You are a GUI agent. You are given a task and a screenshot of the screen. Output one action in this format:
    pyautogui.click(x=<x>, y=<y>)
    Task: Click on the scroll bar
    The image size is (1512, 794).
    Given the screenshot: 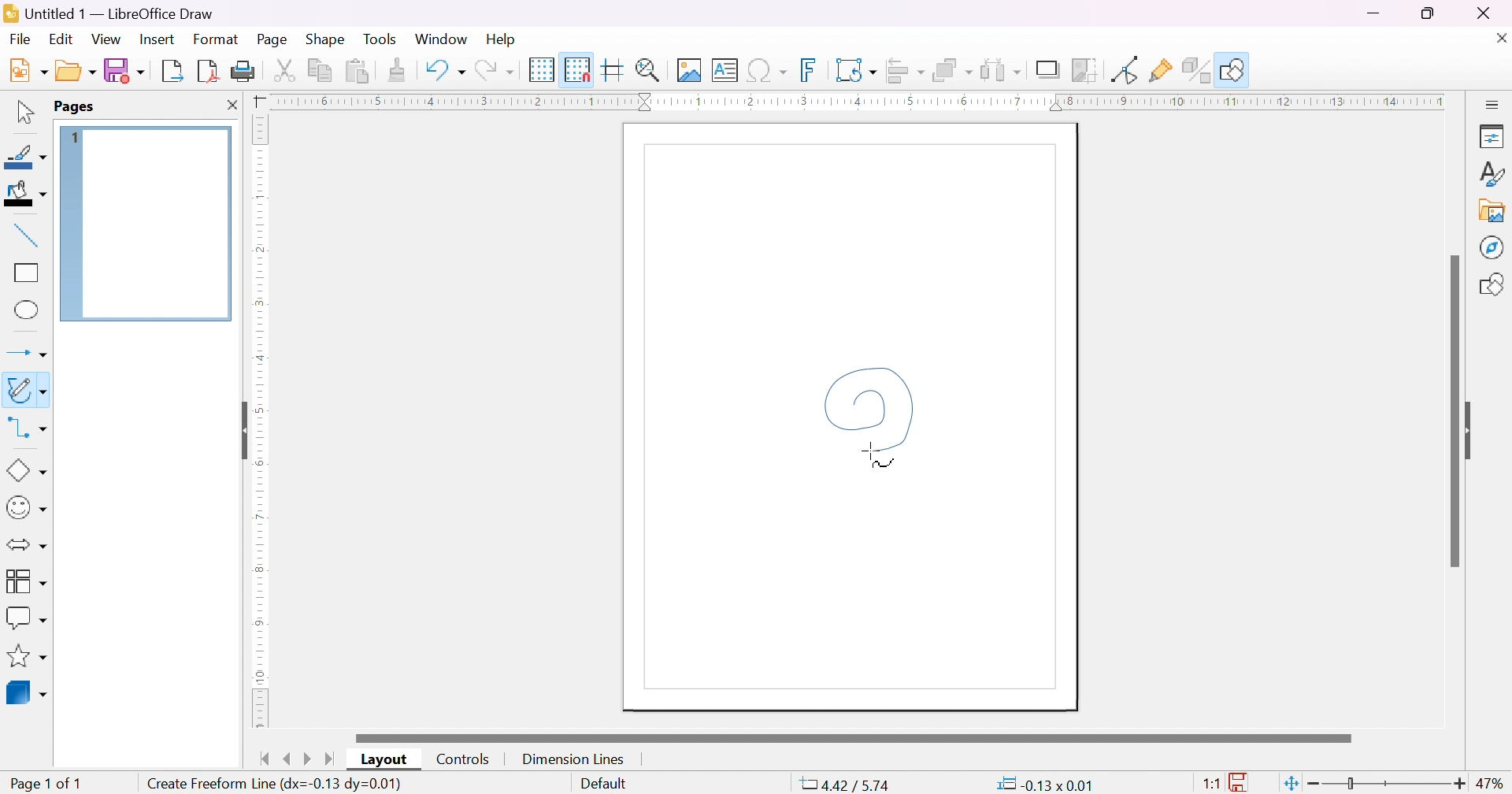 What is the action you would take?
    pyautogui.click(x=854, y=737)
    